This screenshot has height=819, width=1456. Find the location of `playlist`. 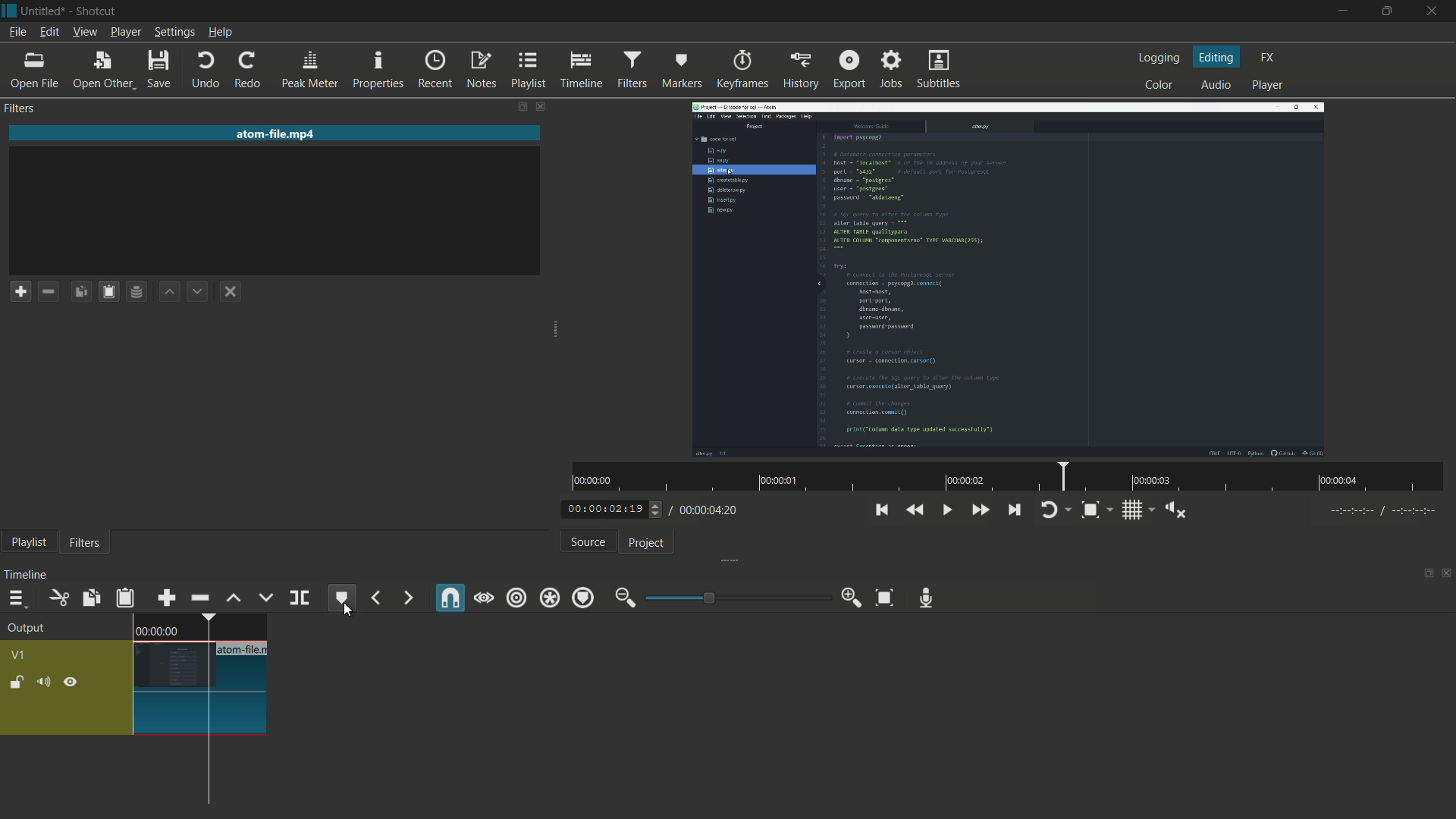

playlist is located at coordinates (526, 71).